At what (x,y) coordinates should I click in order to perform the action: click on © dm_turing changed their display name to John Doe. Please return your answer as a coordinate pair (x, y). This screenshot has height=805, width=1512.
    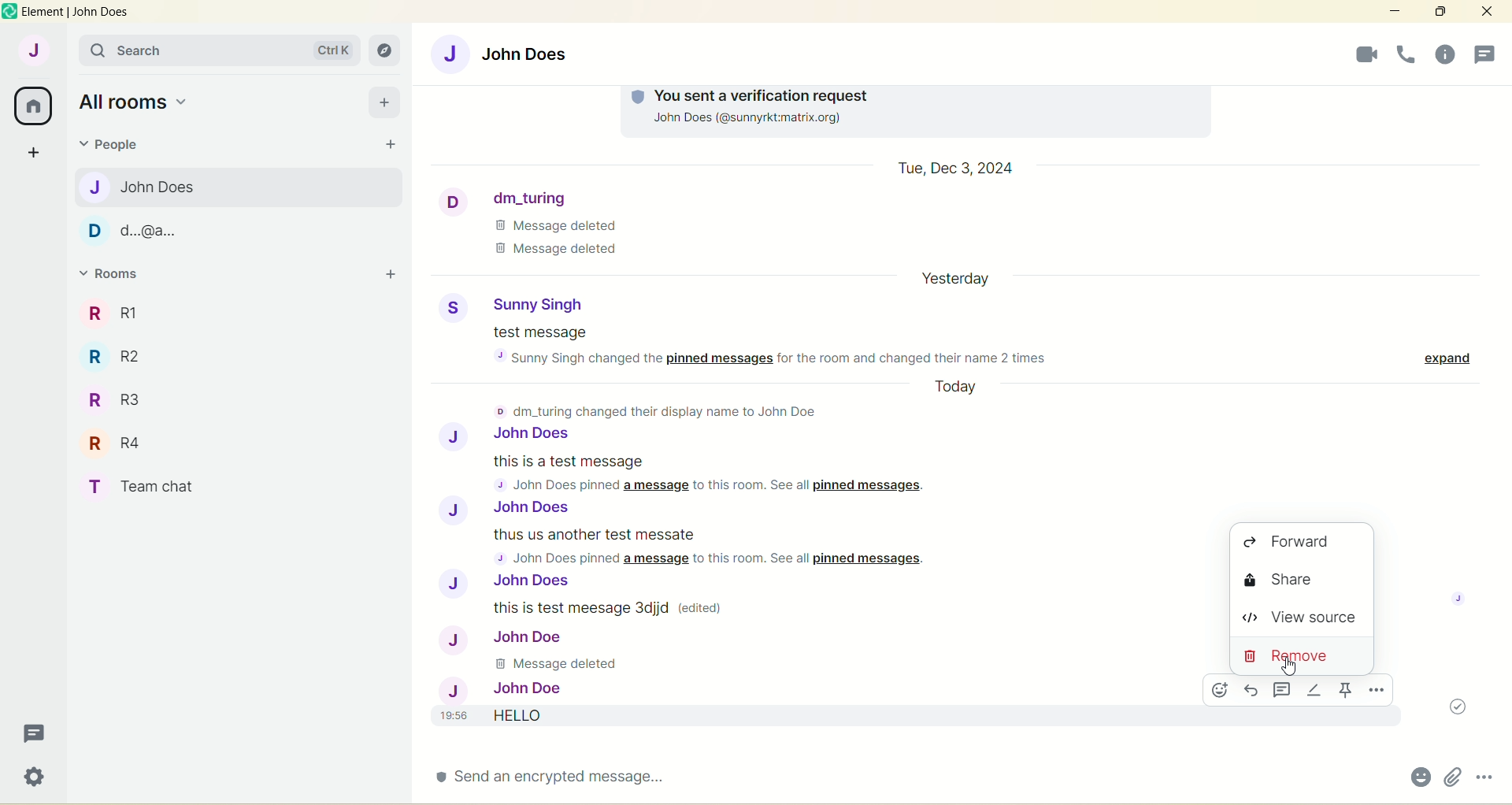
    Looking at the image, I should click on (663, 410).